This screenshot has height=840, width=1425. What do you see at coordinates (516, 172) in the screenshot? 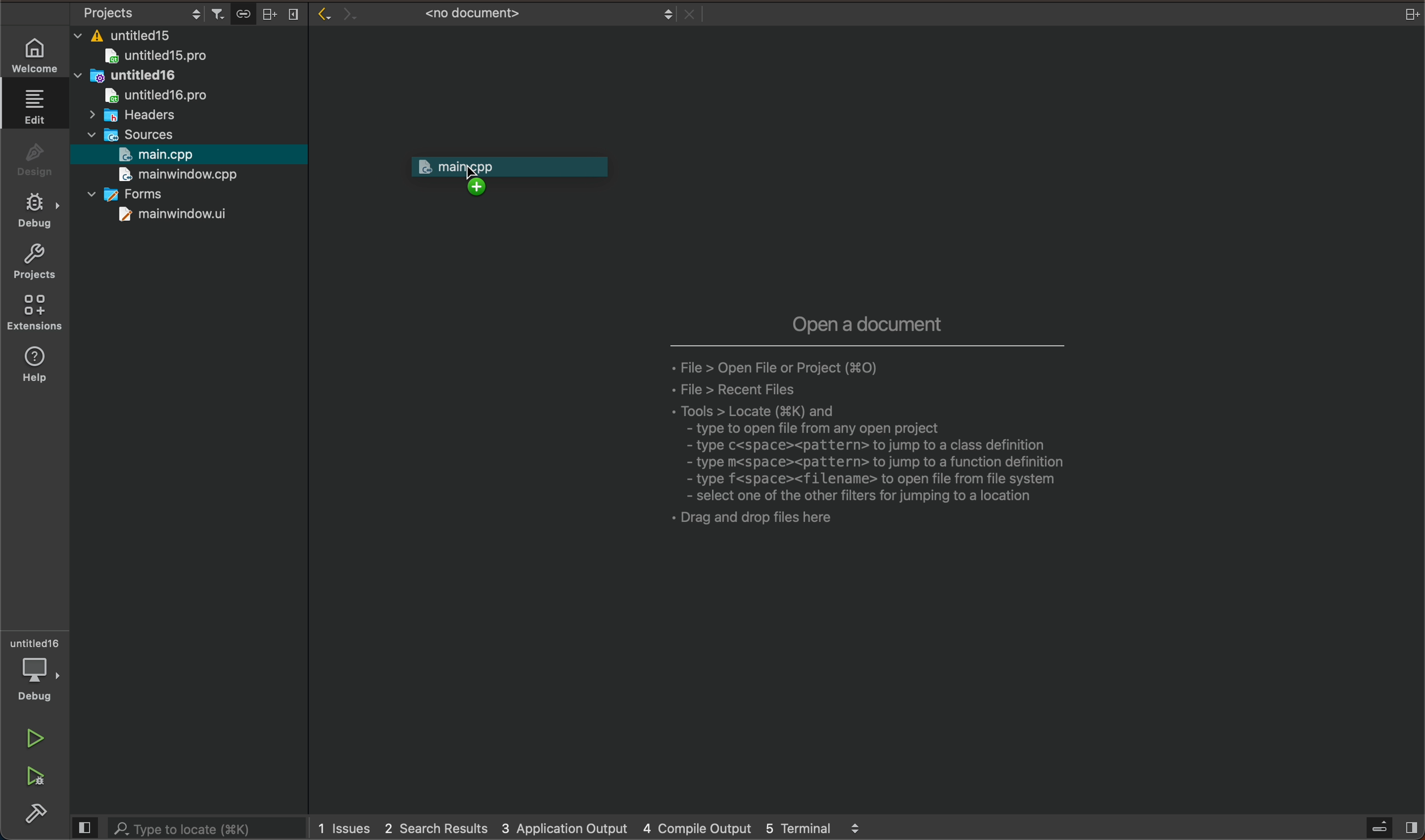
I see `key up` at bounding box center [516, 172].